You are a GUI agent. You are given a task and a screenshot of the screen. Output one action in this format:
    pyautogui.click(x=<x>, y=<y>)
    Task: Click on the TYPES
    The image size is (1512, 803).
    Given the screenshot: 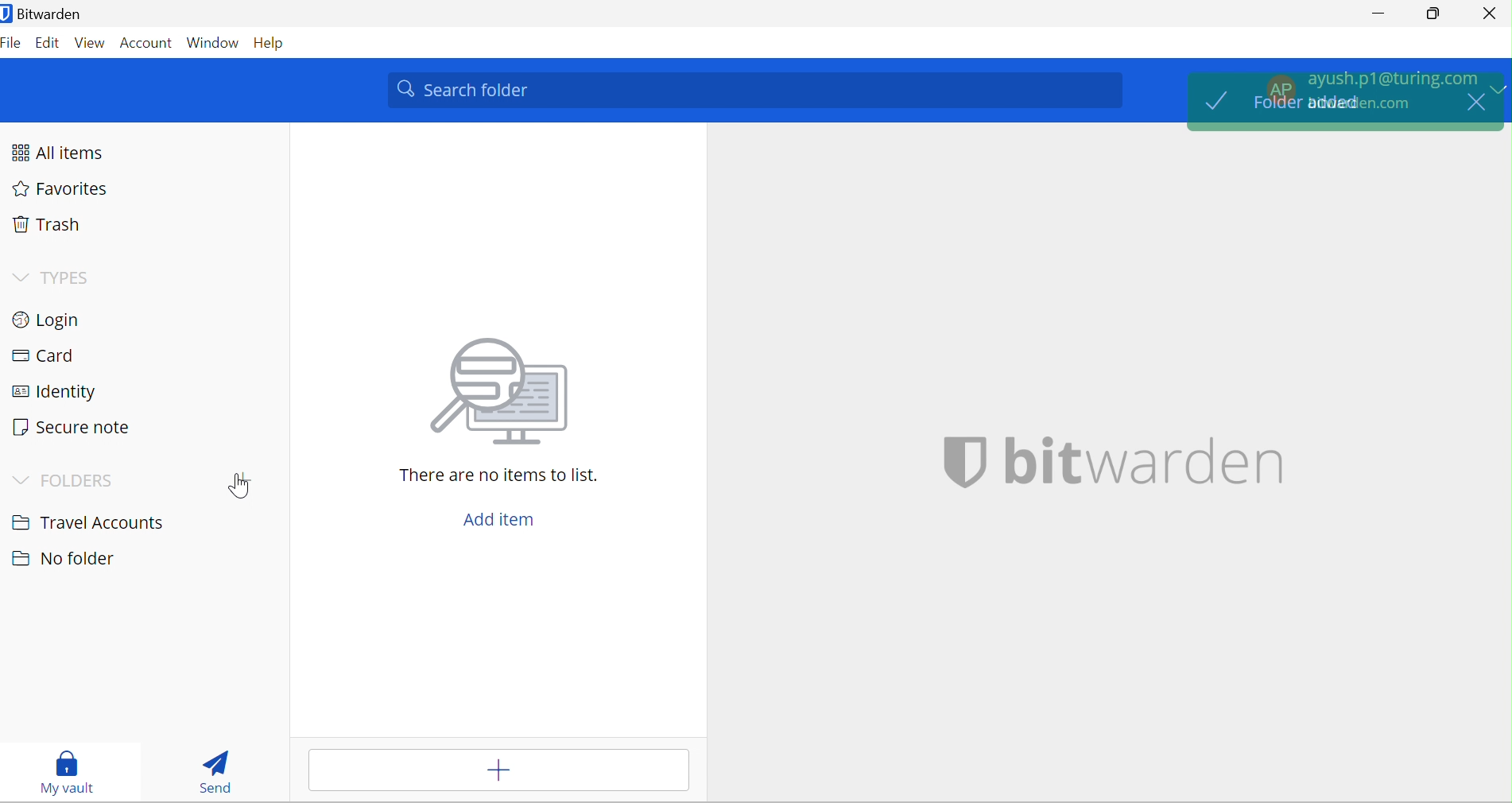 What is the action you would take?
    pyautogui.click(x=71, y=273)
    